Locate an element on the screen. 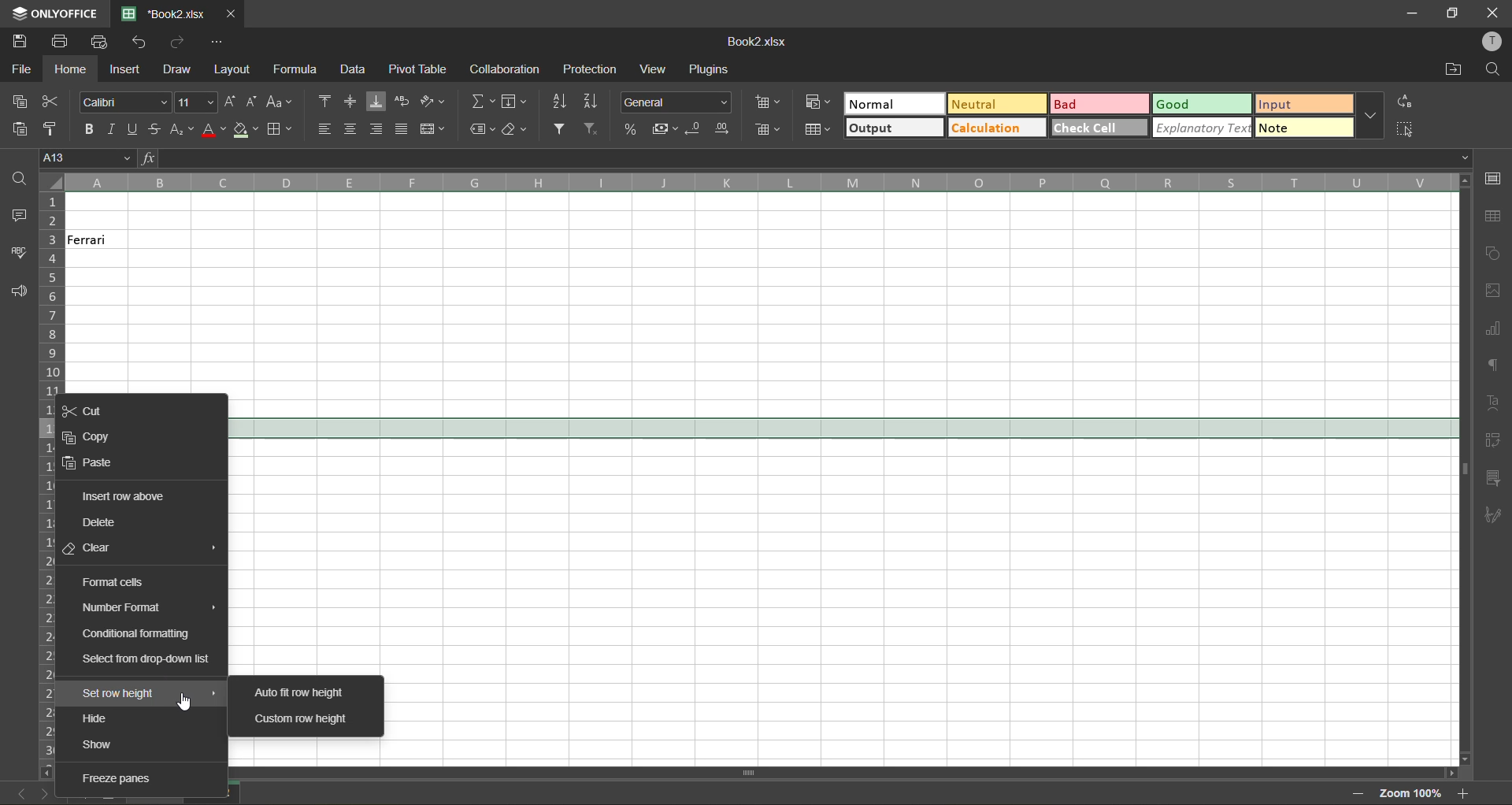  spellcheck is located at coordinates (19, 254).